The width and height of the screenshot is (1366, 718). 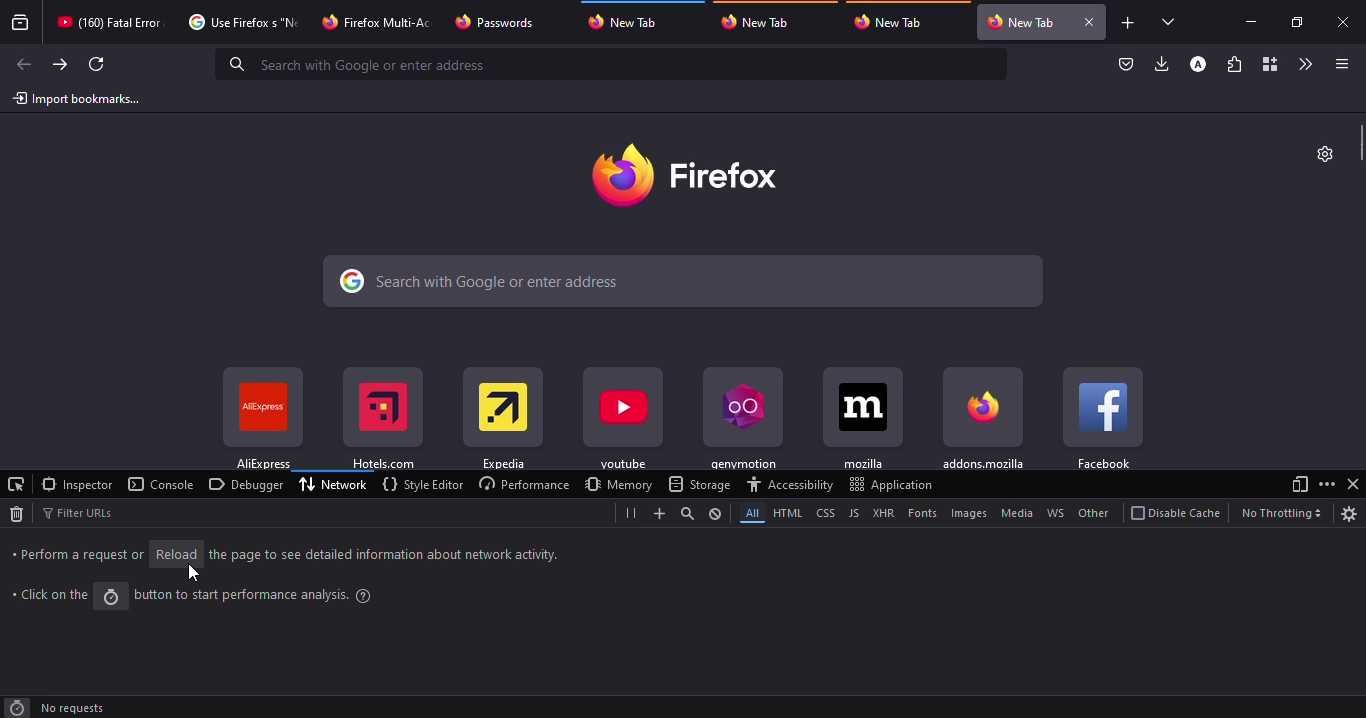 What do you see at coordinates (1327, 153) in the screenshot?
I see `settings` at bounding box center [1327, 153].